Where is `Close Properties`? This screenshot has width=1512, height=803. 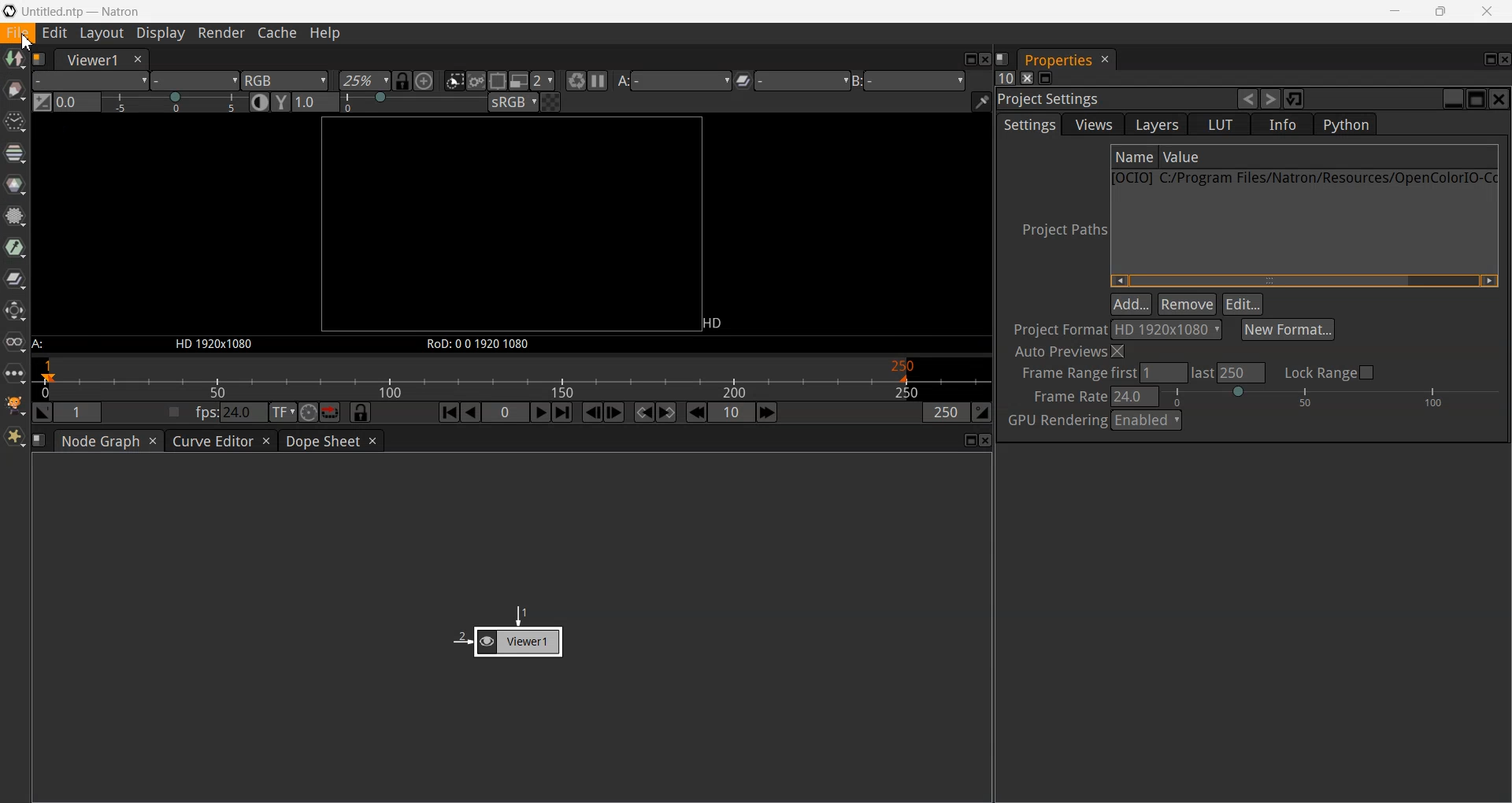 Close Properties is located at coordinates (1106, 60).